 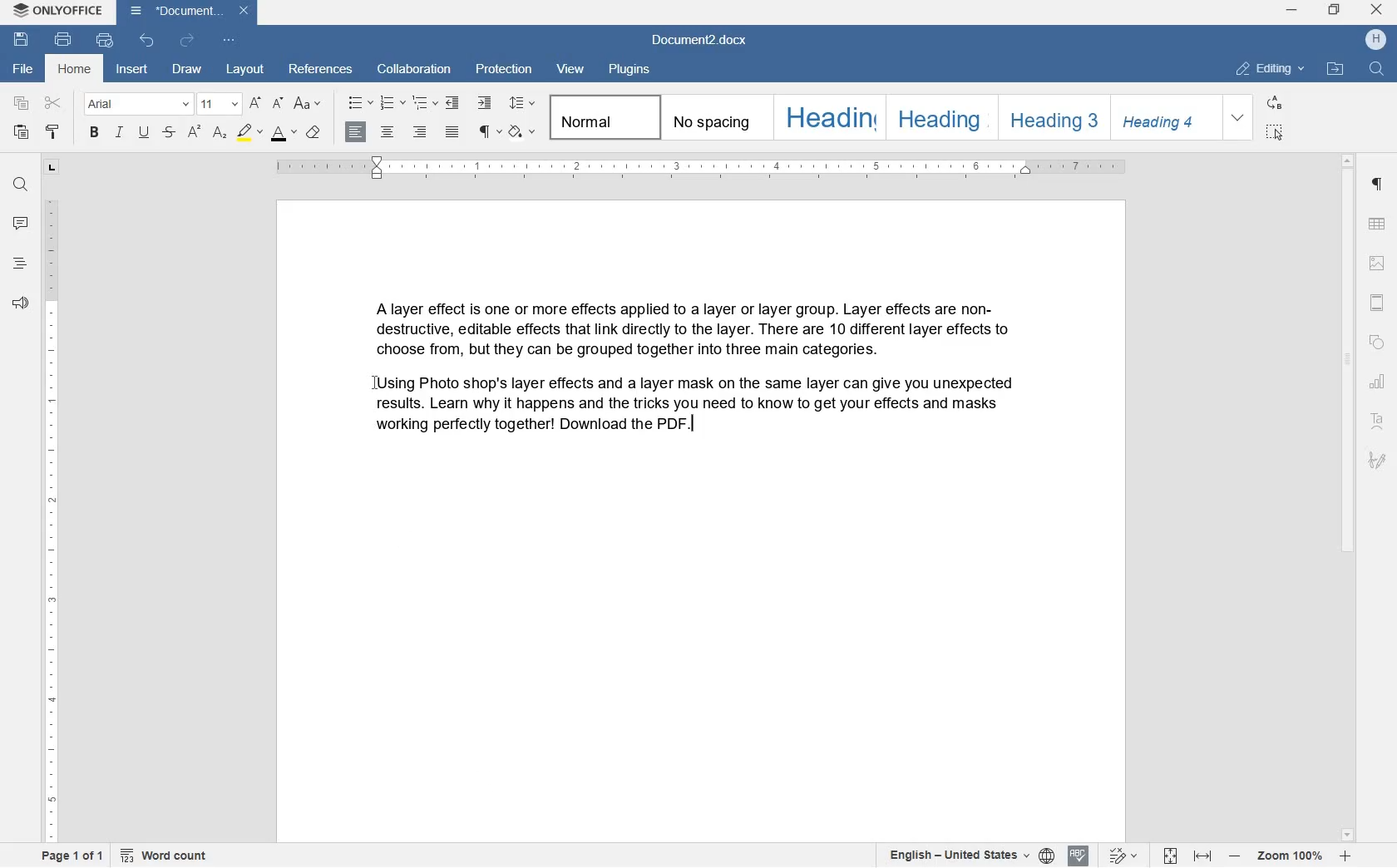 I want to click on SHAPE, so click(x=1378, y=344).